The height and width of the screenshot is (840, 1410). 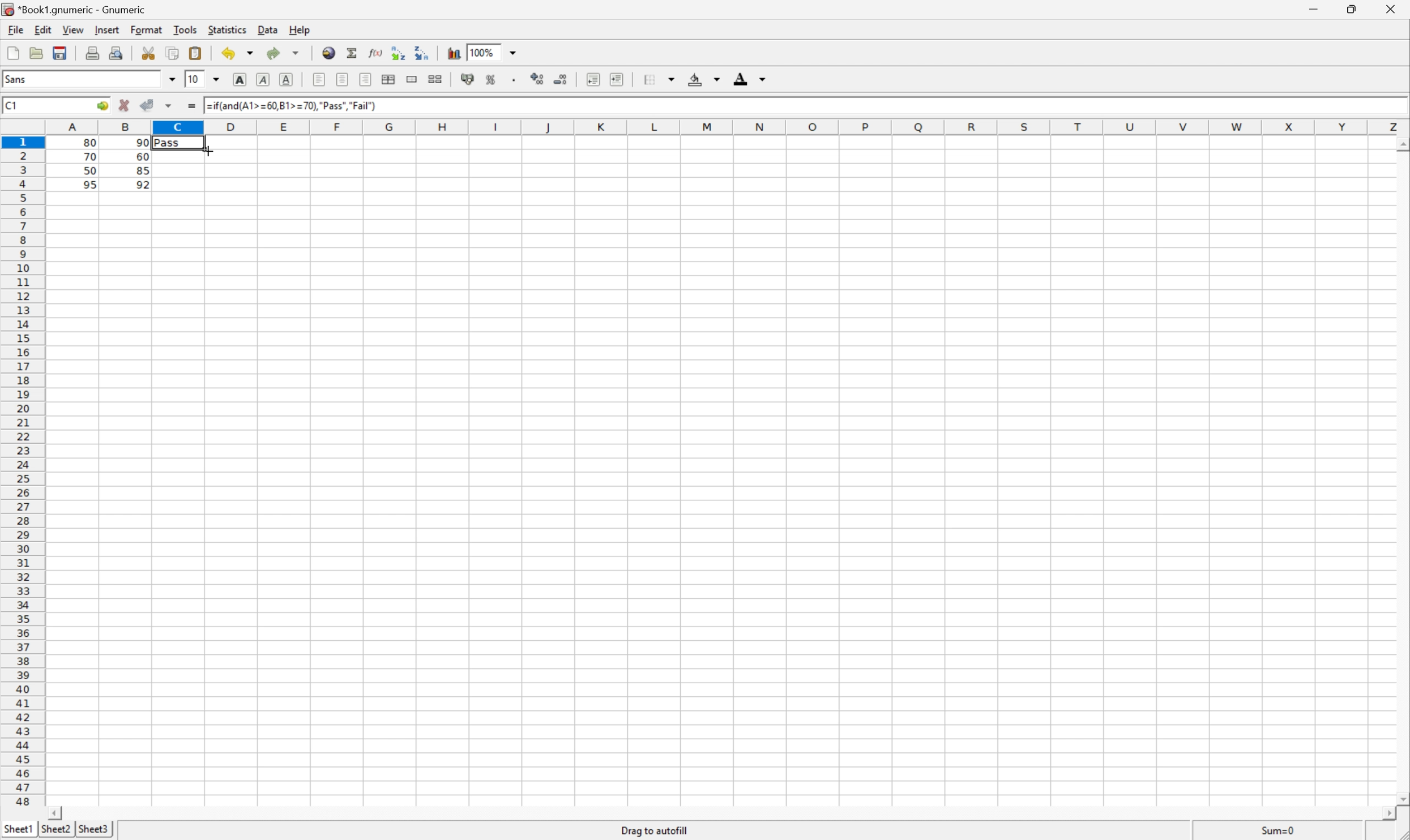 What do you see at coordinates (1277, 830) in the screenshot?
I see `Sum=80` at bounding box center [1277, 830].